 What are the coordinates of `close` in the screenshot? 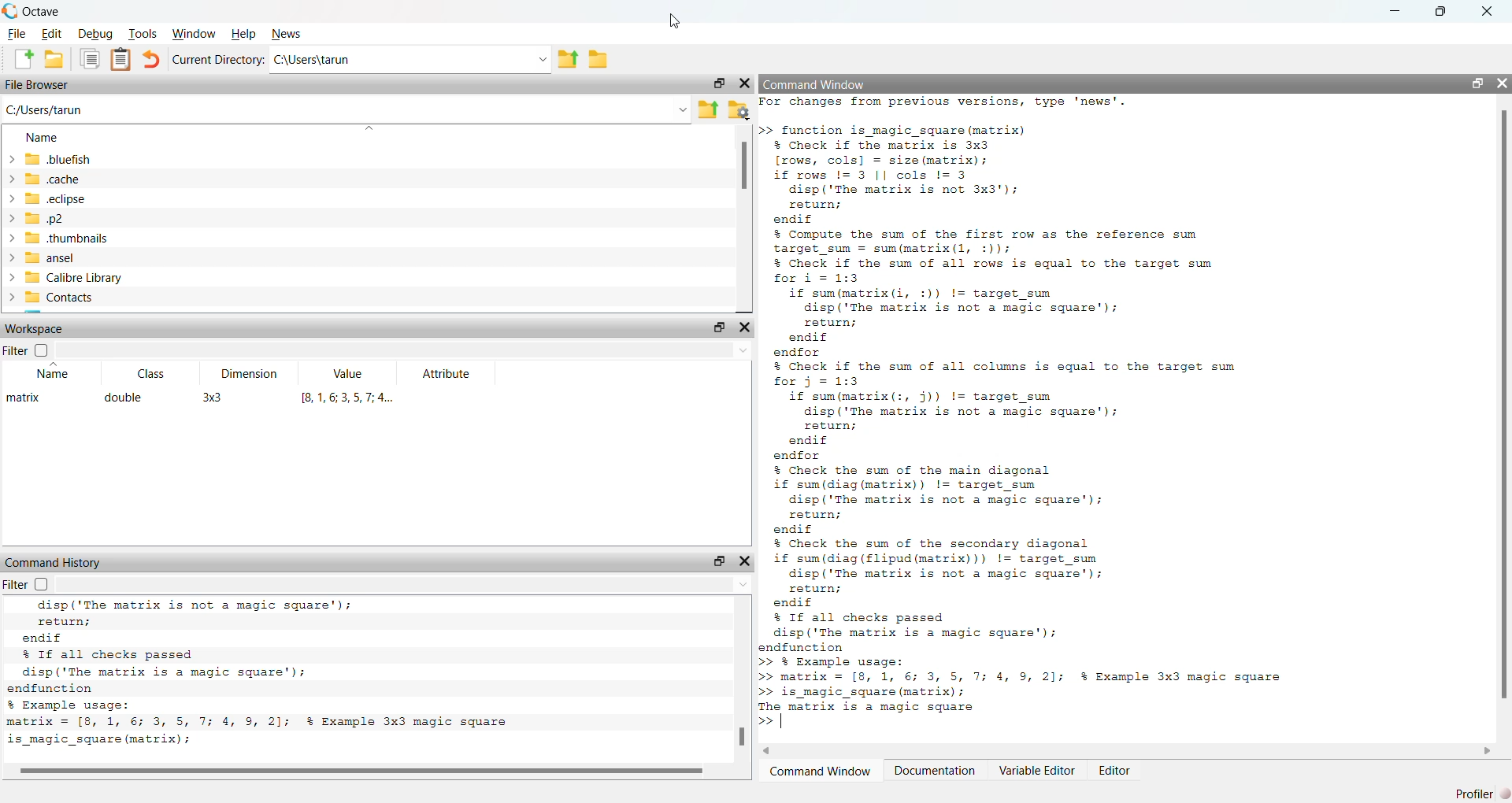 It's located at (743, 327).